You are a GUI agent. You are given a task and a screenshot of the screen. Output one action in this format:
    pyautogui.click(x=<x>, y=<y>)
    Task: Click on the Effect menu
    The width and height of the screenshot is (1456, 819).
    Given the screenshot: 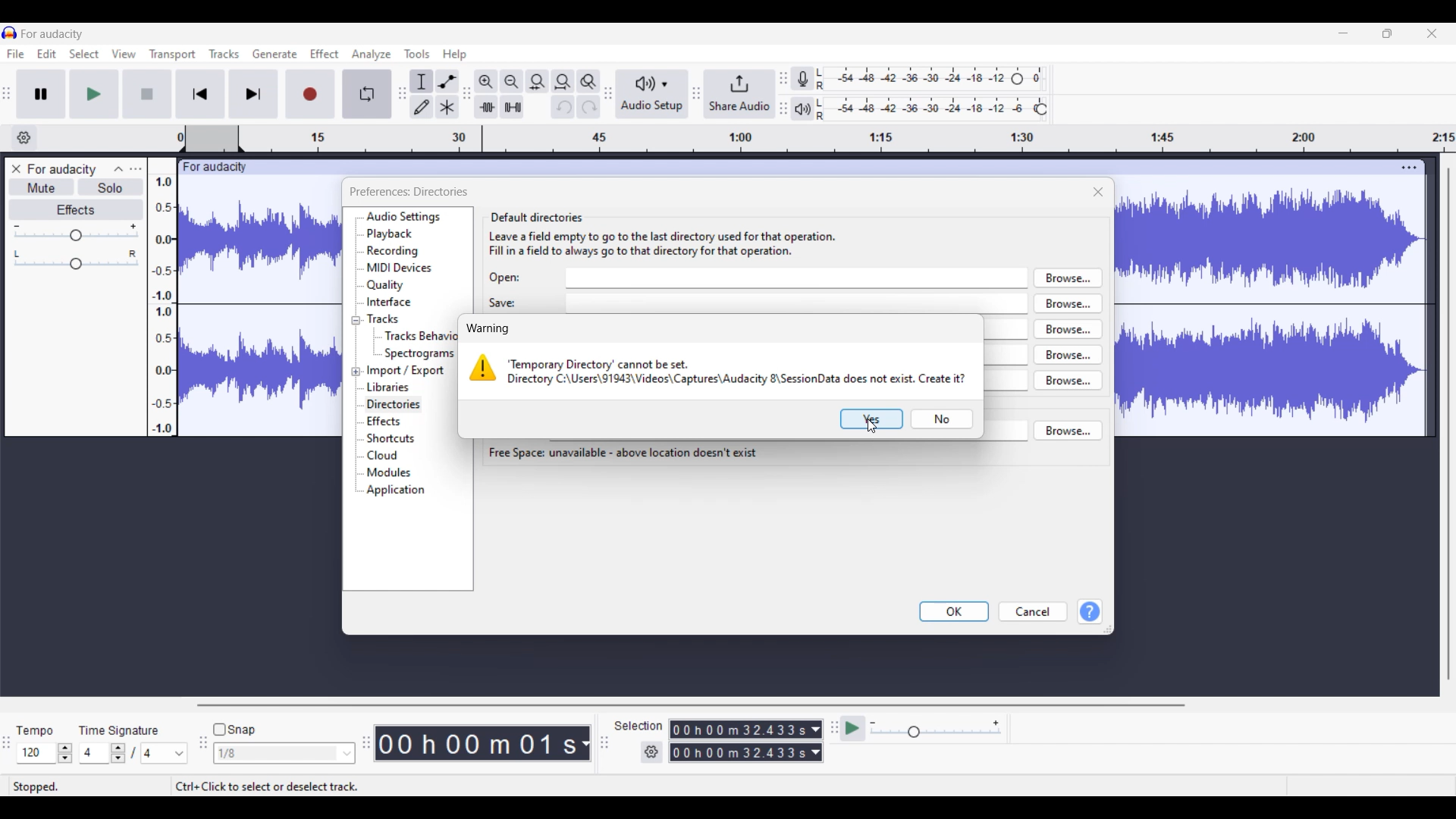 What is the action you would take?
    pyautogui.click(x=325, y=54)
    